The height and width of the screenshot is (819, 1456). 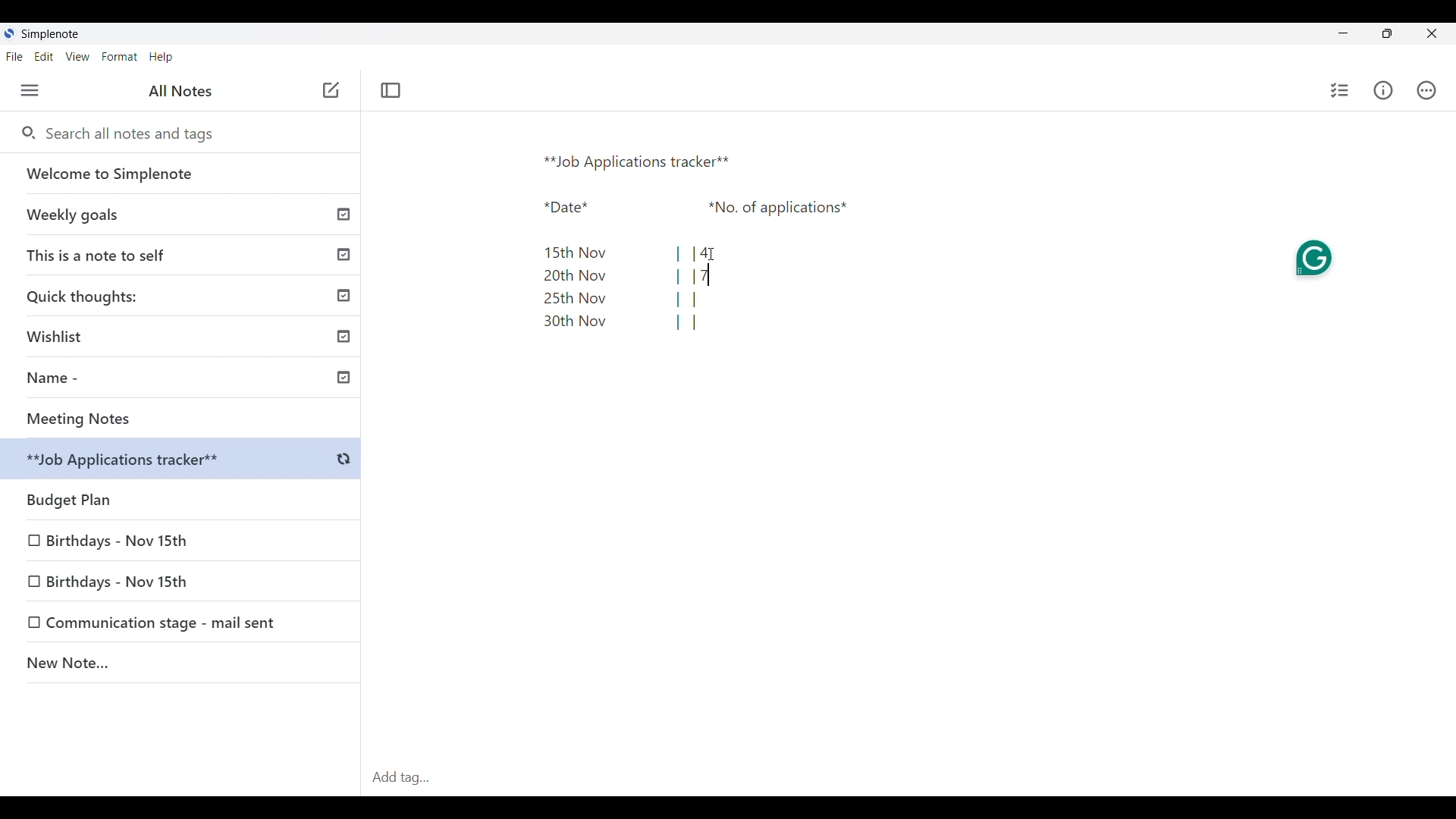 What do you see at coordinates (180, 90) in the screenshot?
I see `All notes` at bounding box center [180, 90].